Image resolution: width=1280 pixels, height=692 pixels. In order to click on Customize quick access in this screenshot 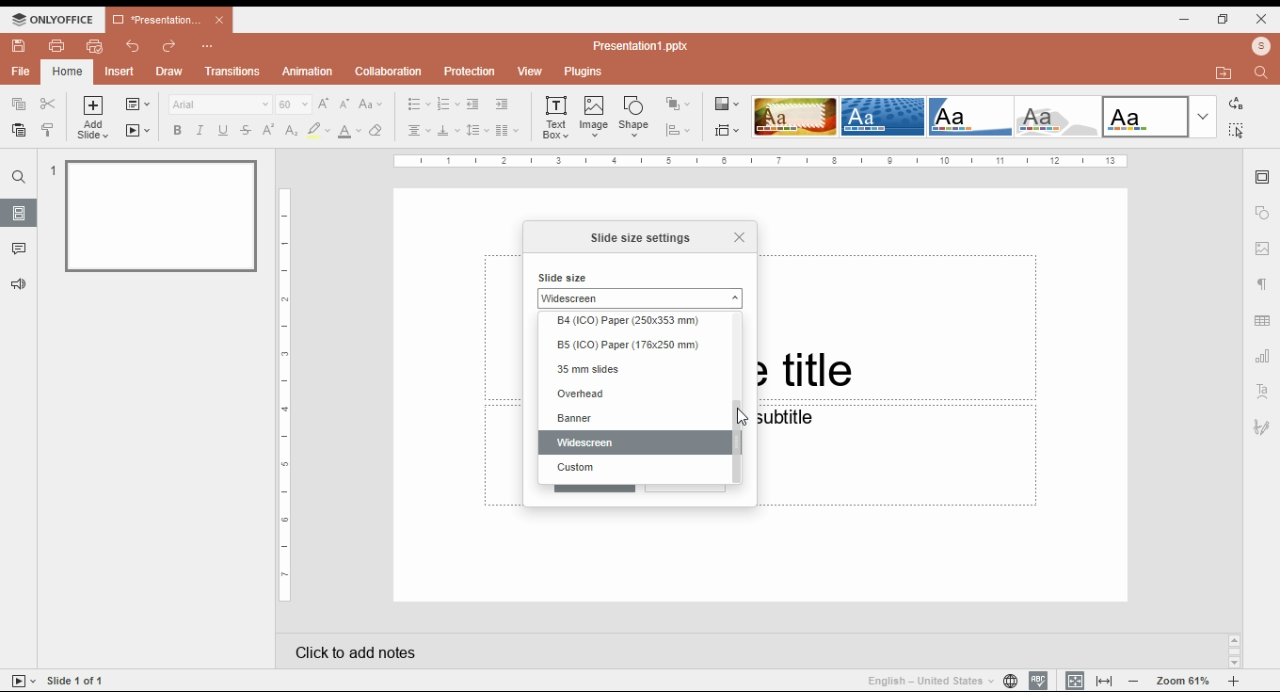, I will do `click(208, 46)`.